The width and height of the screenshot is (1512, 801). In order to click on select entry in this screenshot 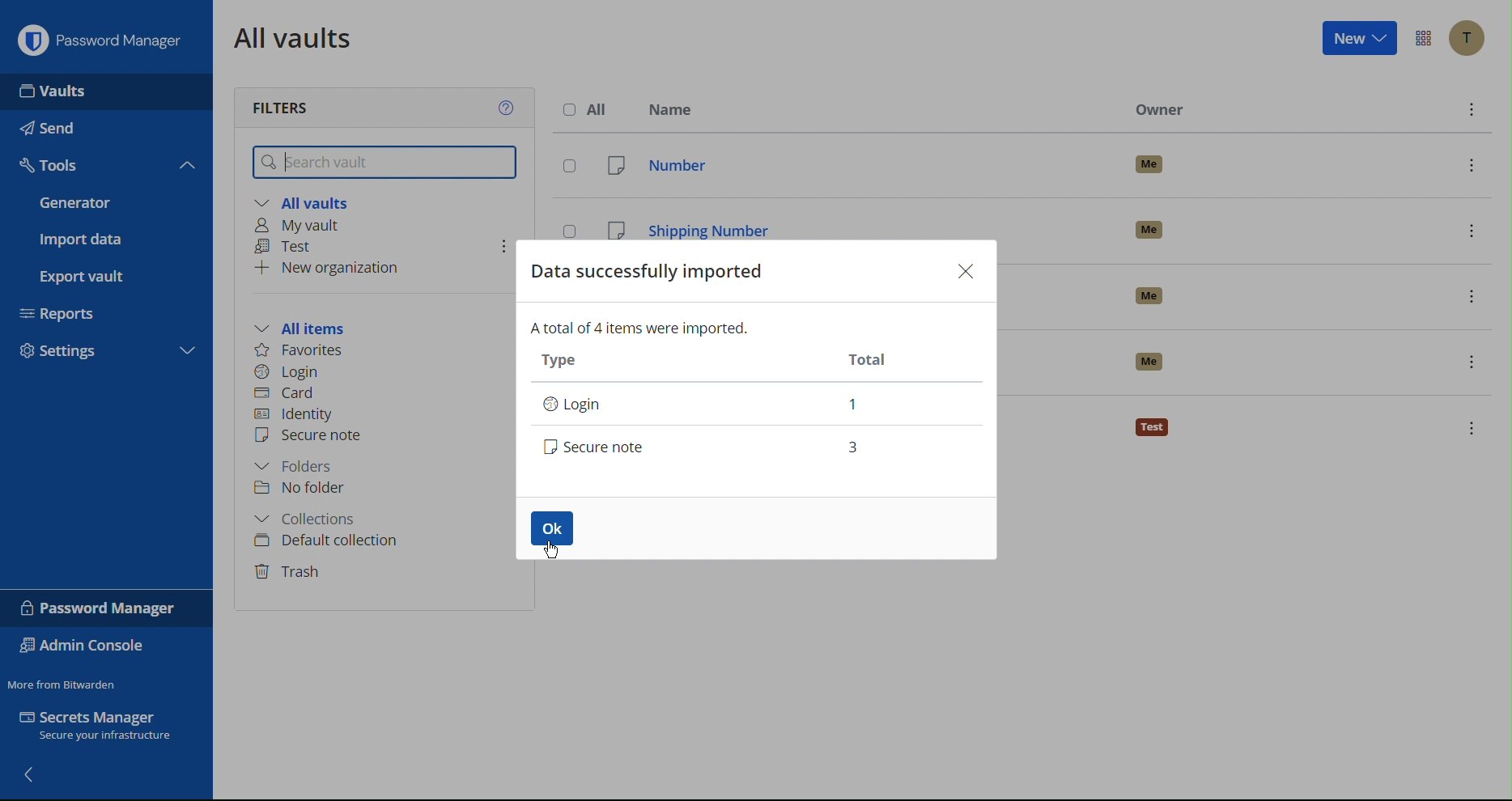, I will do `click(568, 222)`.